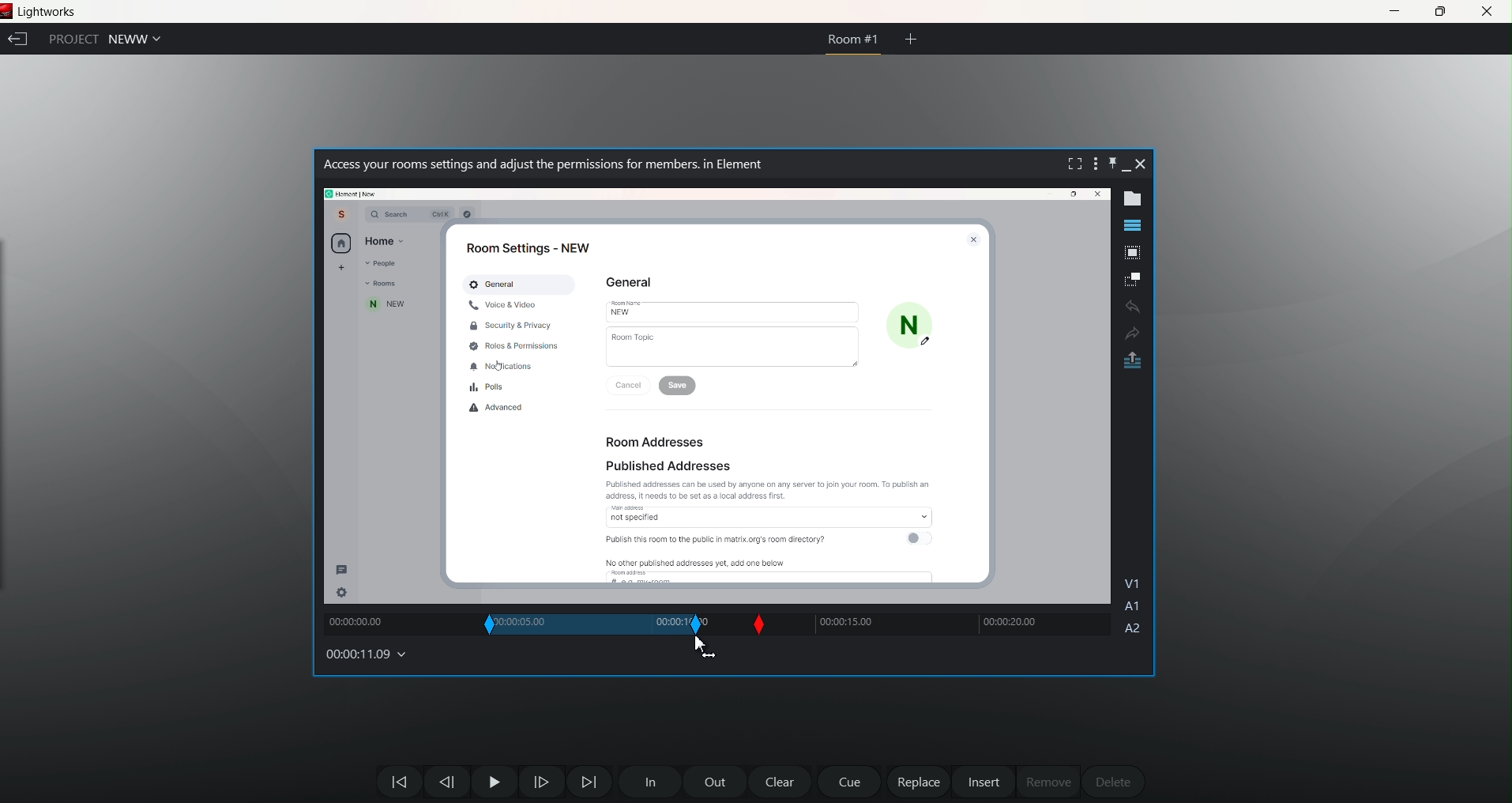  What do you see at coordinates (344, 569) in the screenshot?
I see `message` at bounding box center [344, 569].